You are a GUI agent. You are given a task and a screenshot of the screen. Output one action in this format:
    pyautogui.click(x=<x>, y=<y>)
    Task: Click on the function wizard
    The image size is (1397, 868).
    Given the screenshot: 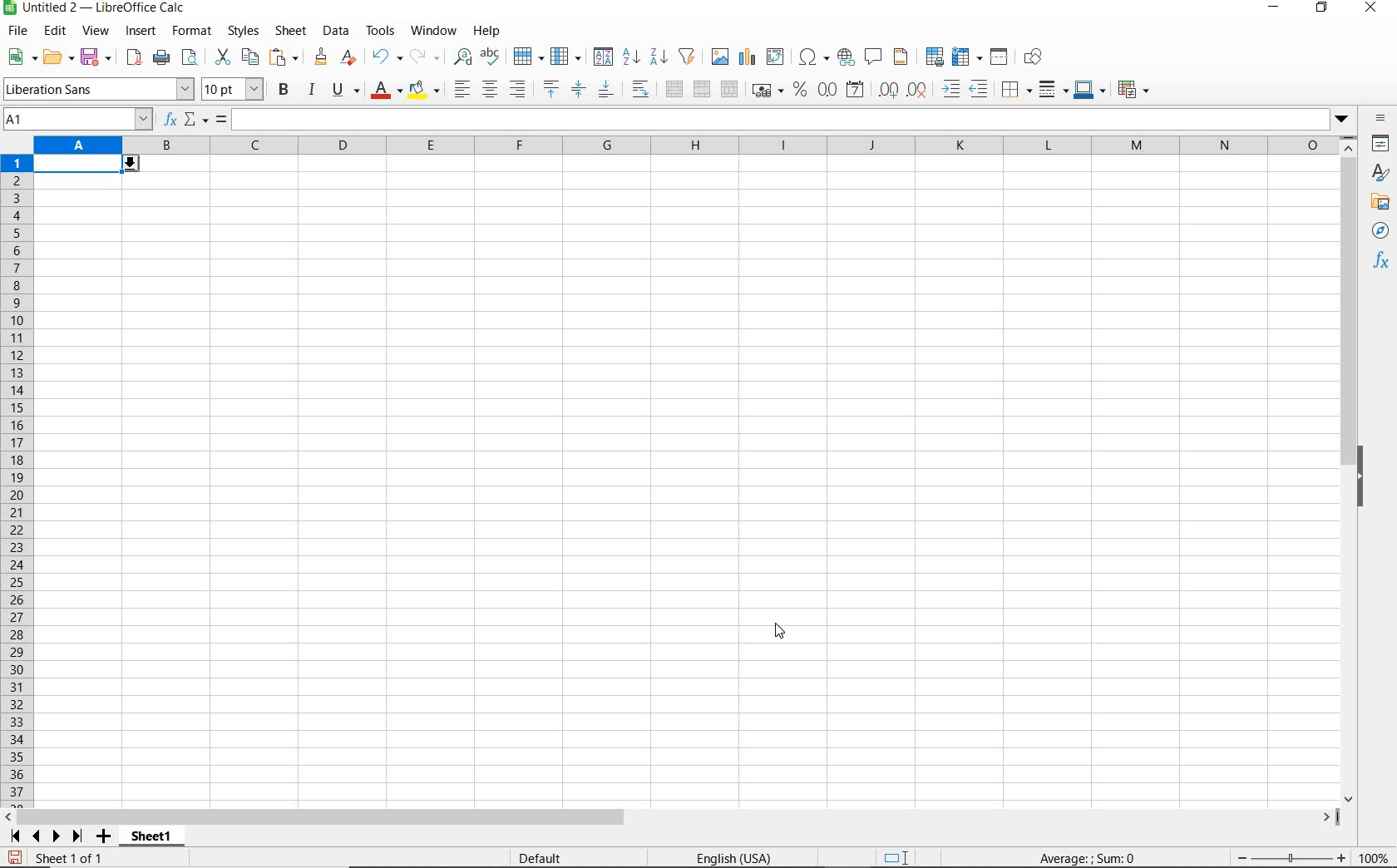 What is the action you would take?
    pyautogui.click(x=168, y=120)
    